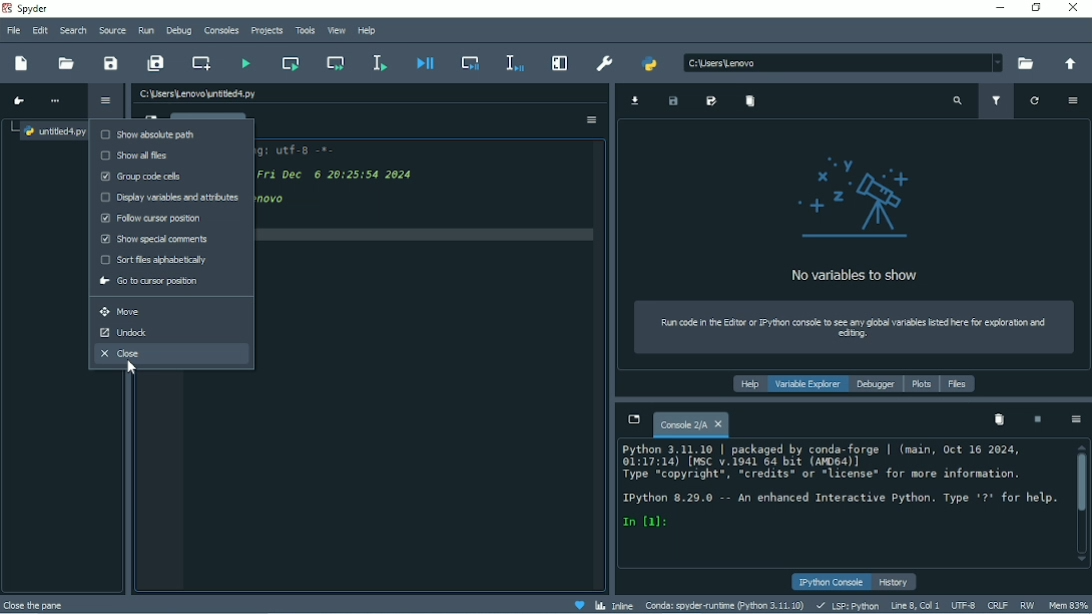 The width and height of the screenshot is (1092, 614). I want to click on Show absolute path, so click(150, 134).